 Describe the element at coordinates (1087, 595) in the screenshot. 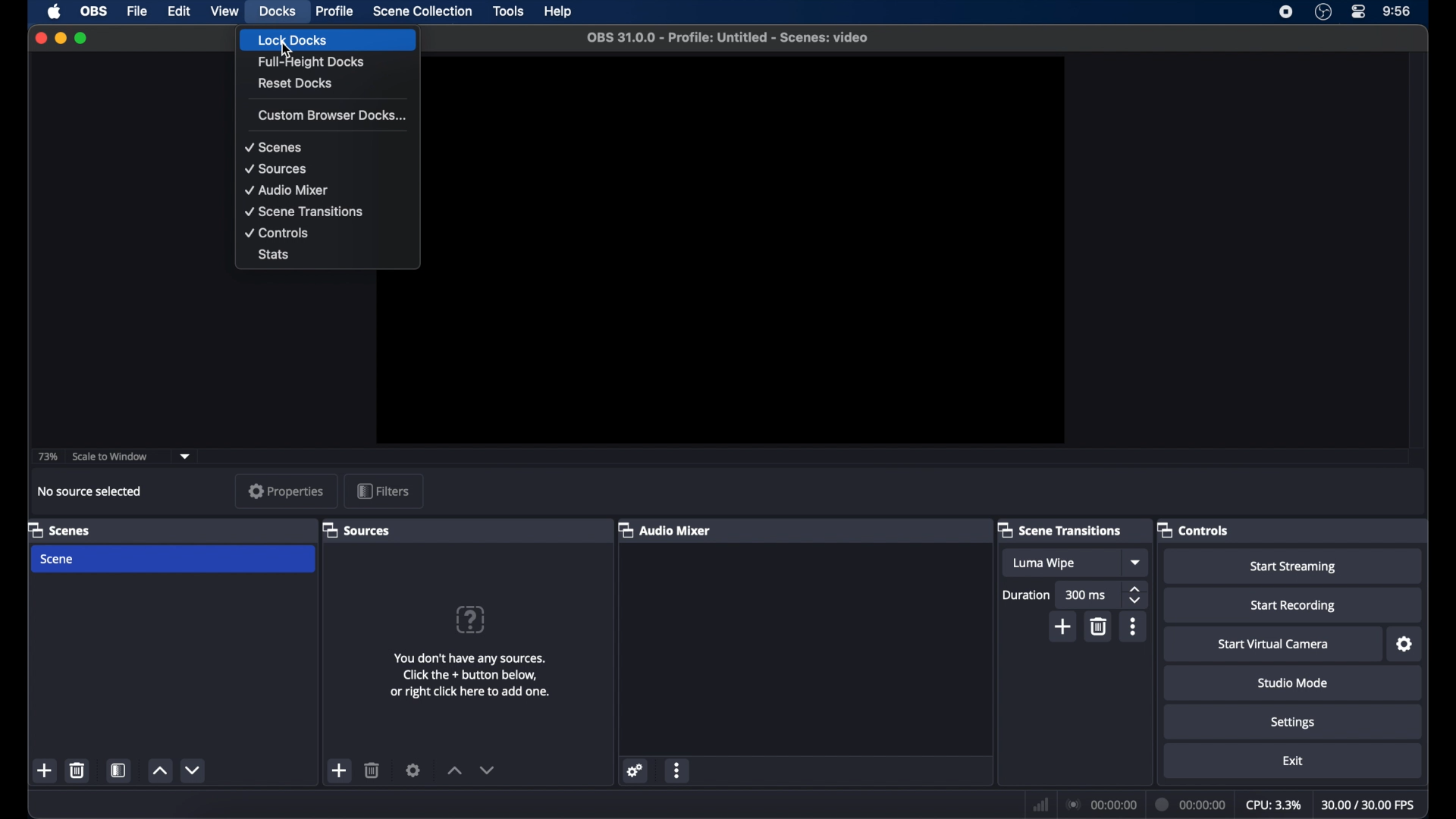

I see `300 ms` at that location.